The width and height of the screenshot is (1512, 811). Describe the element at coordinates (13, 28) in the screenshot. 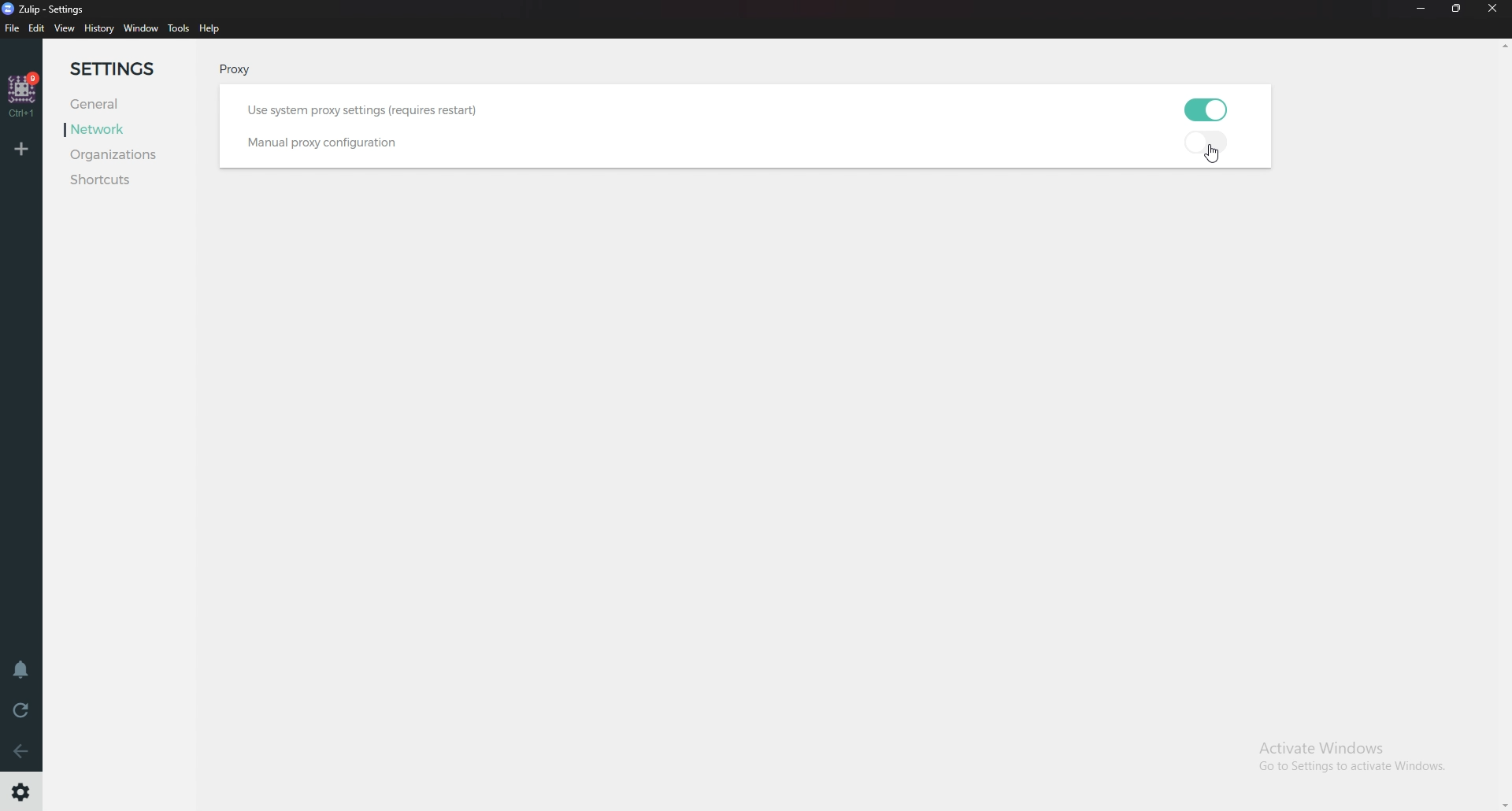

I see `file` at that location.